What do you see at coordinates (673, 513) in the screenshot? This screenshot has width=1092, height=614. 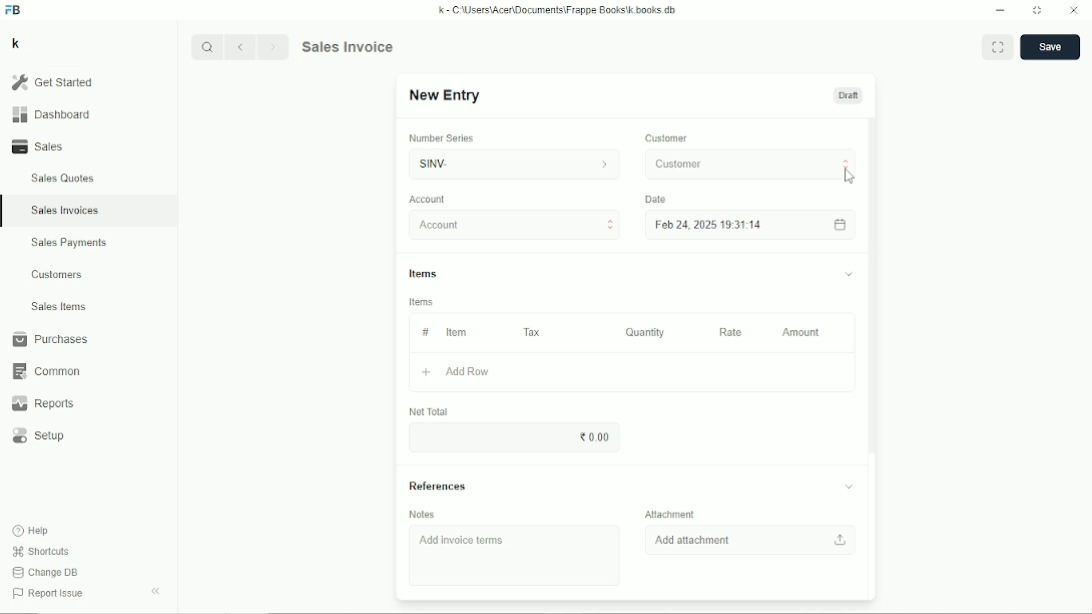 I see `Attachment` at bounding box center [673, 513].